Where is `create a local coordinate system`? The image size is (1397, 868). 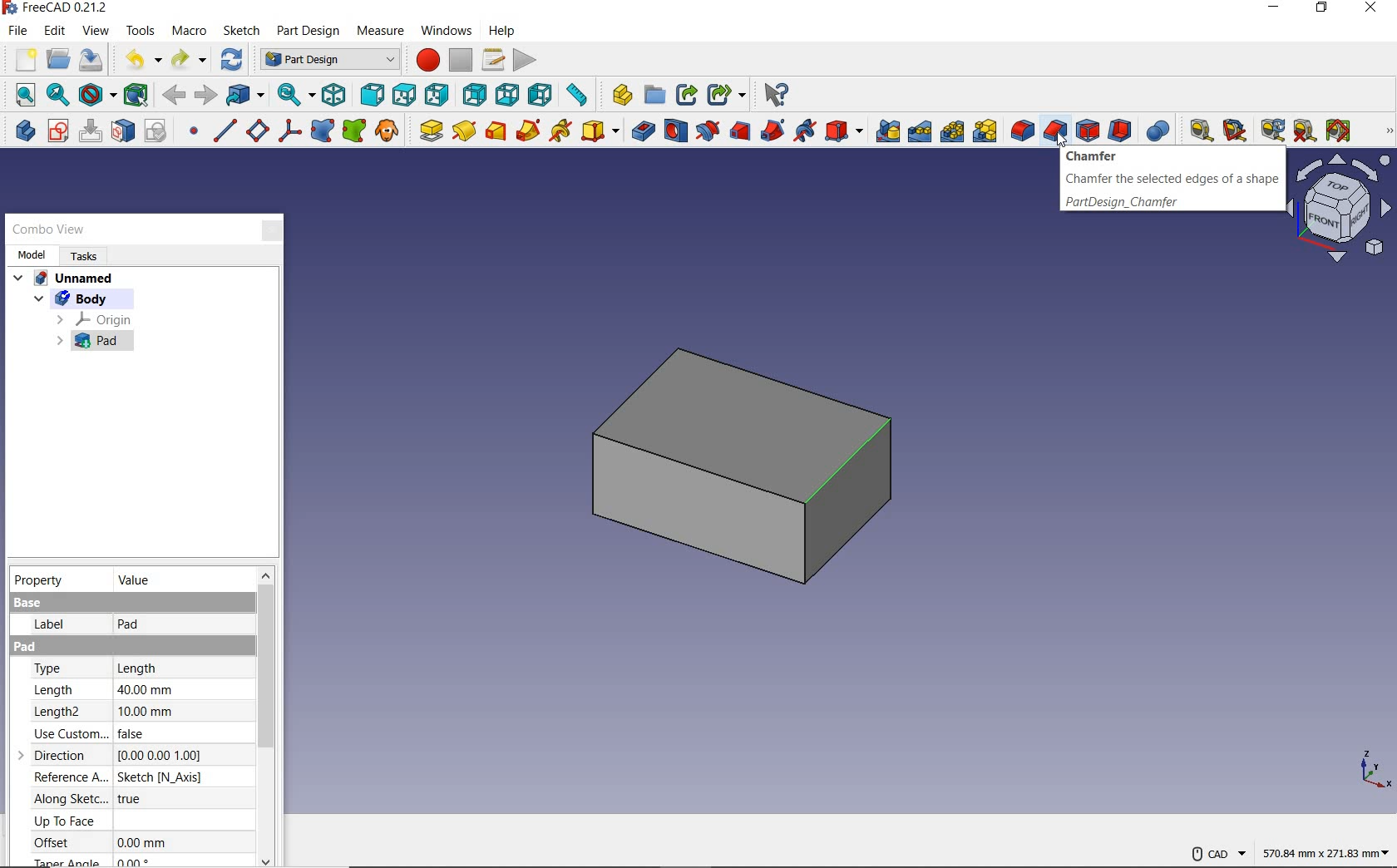 create a local coordinate system is located at coordinates (289, 131).